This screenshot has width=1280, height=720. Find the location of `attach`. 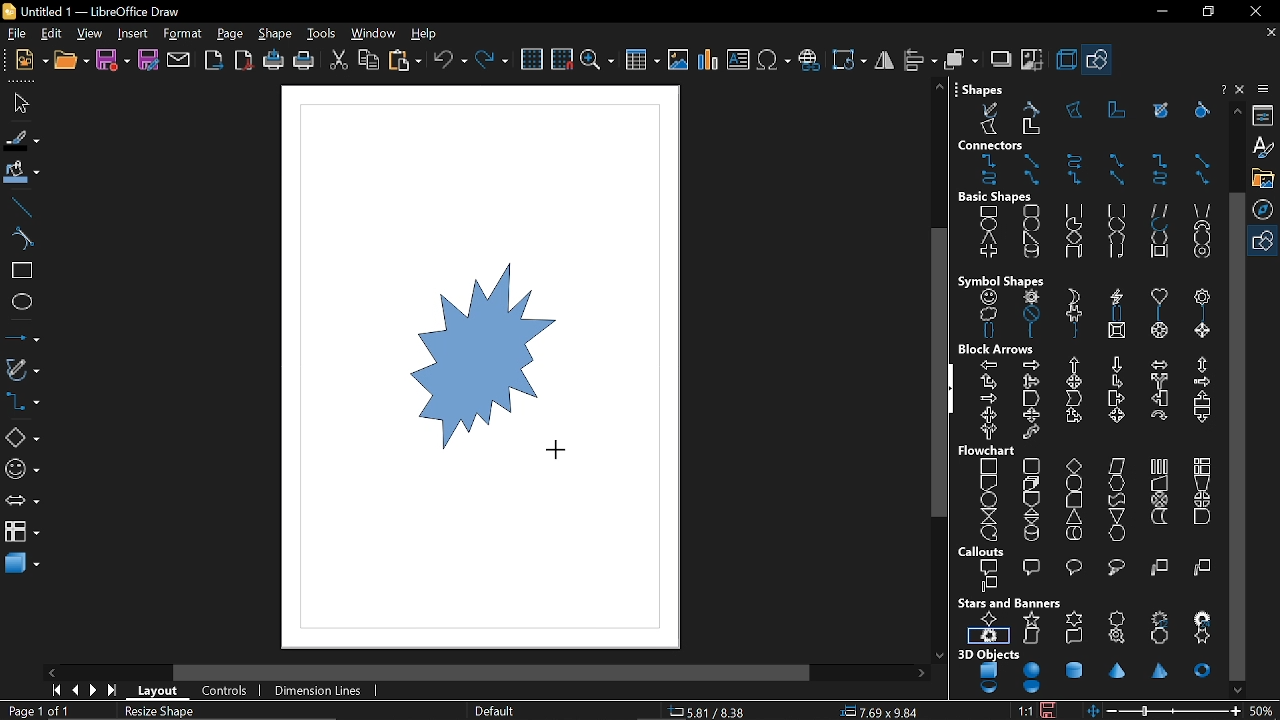

attach is located at coordinates (180, 61).